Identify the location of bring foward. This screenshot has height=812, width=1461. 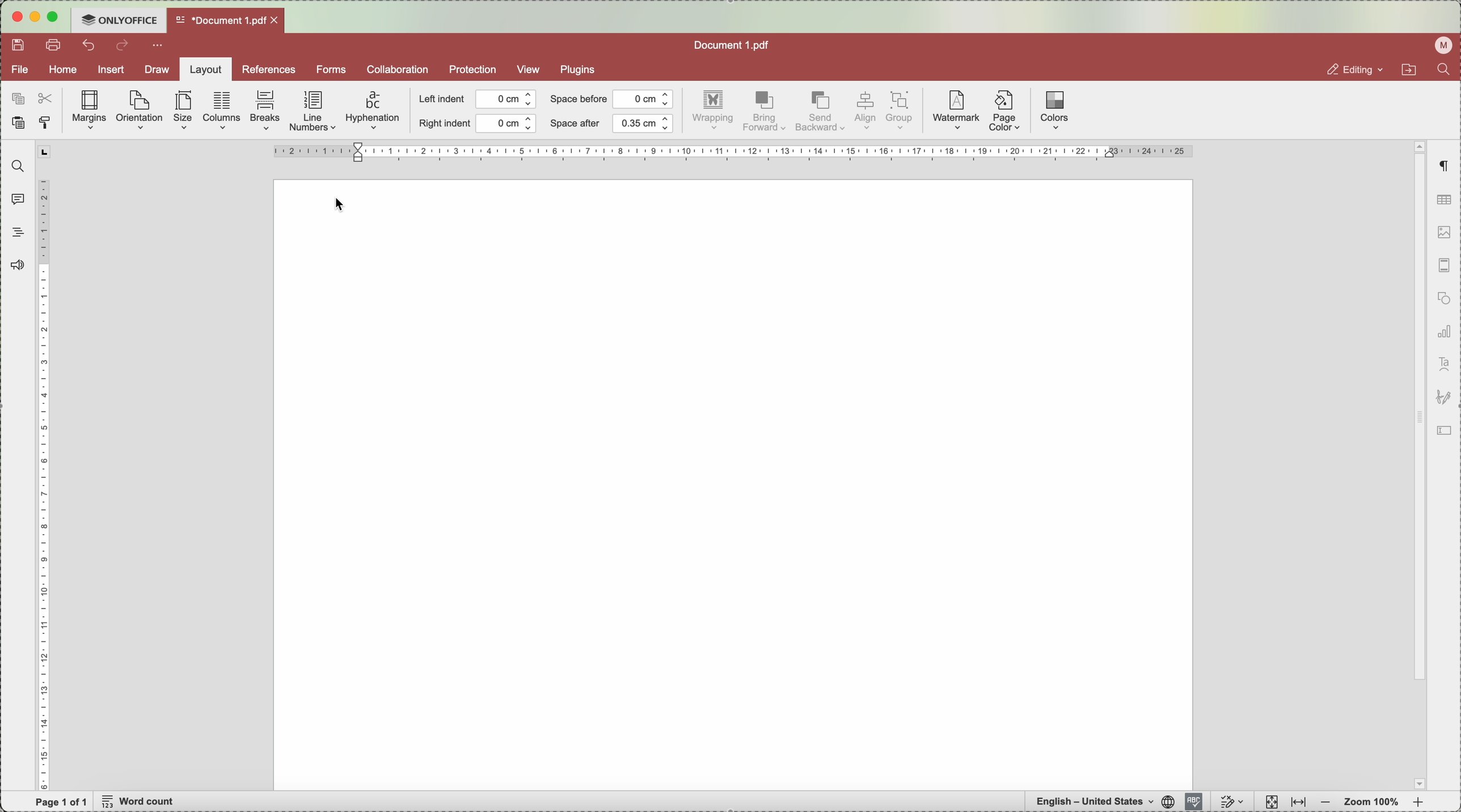
(765, 112).